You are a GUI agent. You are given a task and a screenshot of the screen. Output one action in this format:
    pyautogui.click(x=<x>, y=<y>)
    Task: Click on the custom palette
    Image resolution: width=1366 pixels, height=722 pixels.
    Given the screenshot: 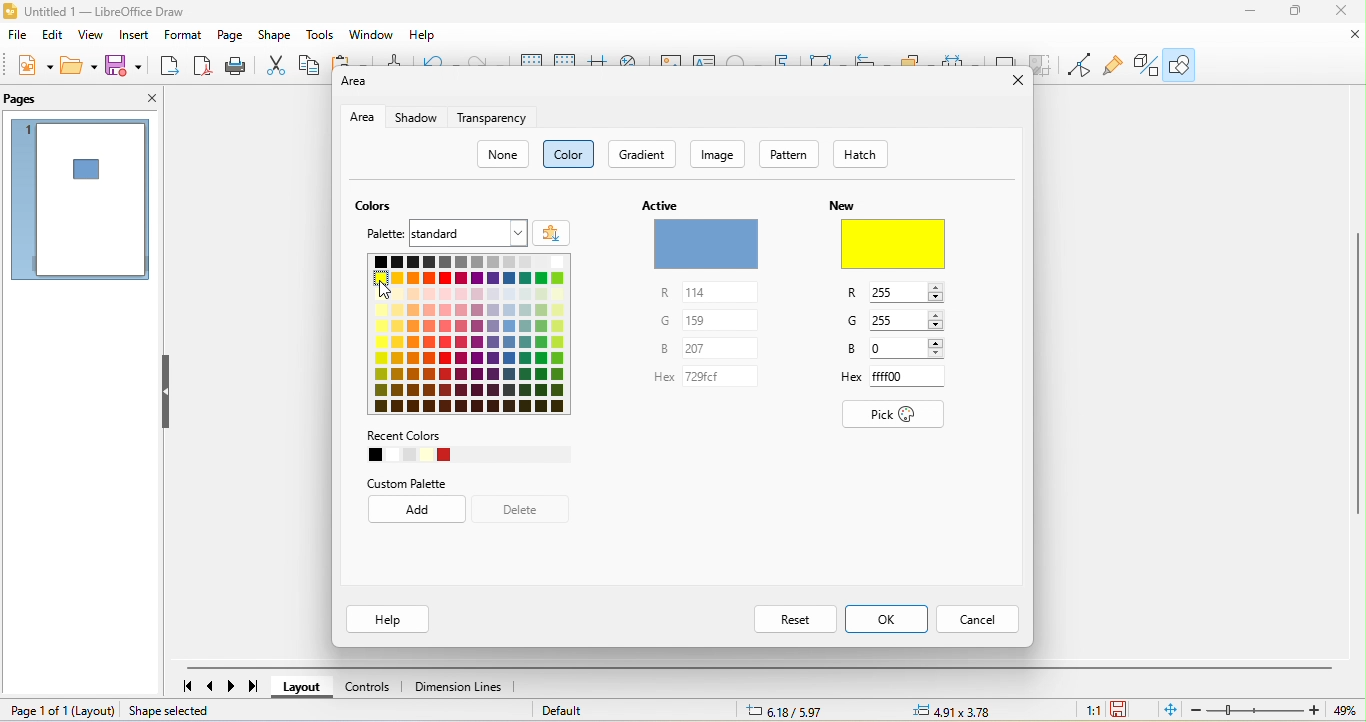 What is the action you would take?
    pyautogui.click(x=444, y=481)
    